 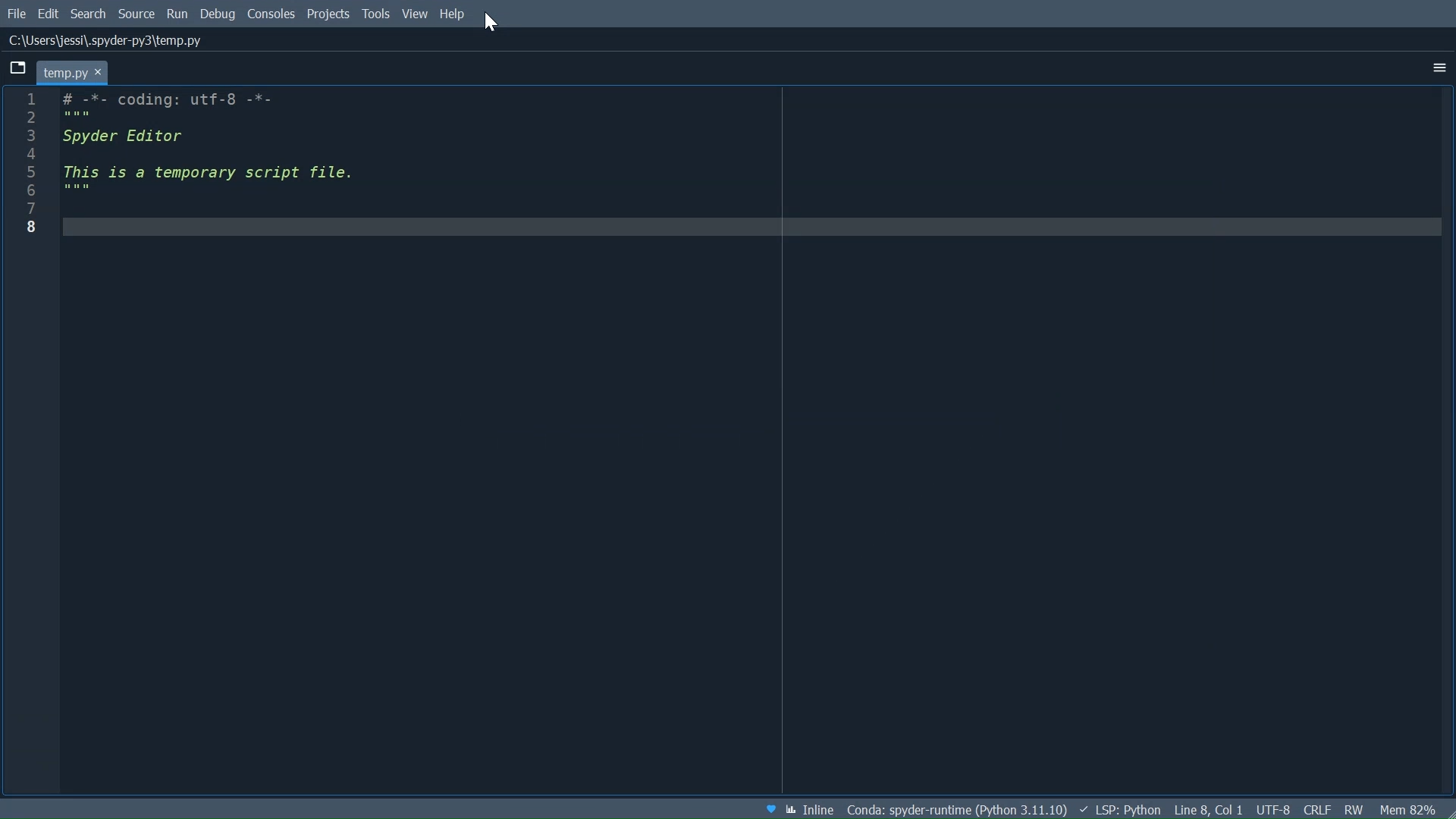 I want to click on Help Spyder, so click(x=770, y=807).